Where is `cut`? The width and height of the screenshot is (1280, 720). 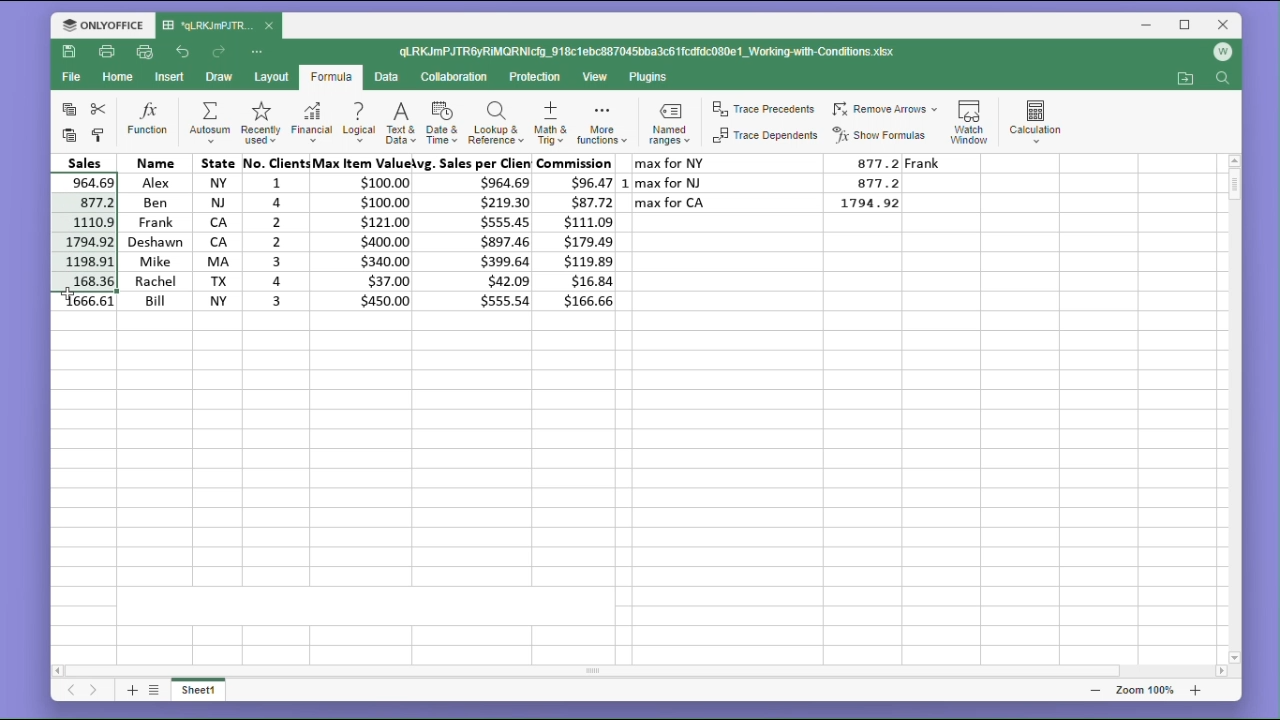 cut is located at coordinates (102, 109).